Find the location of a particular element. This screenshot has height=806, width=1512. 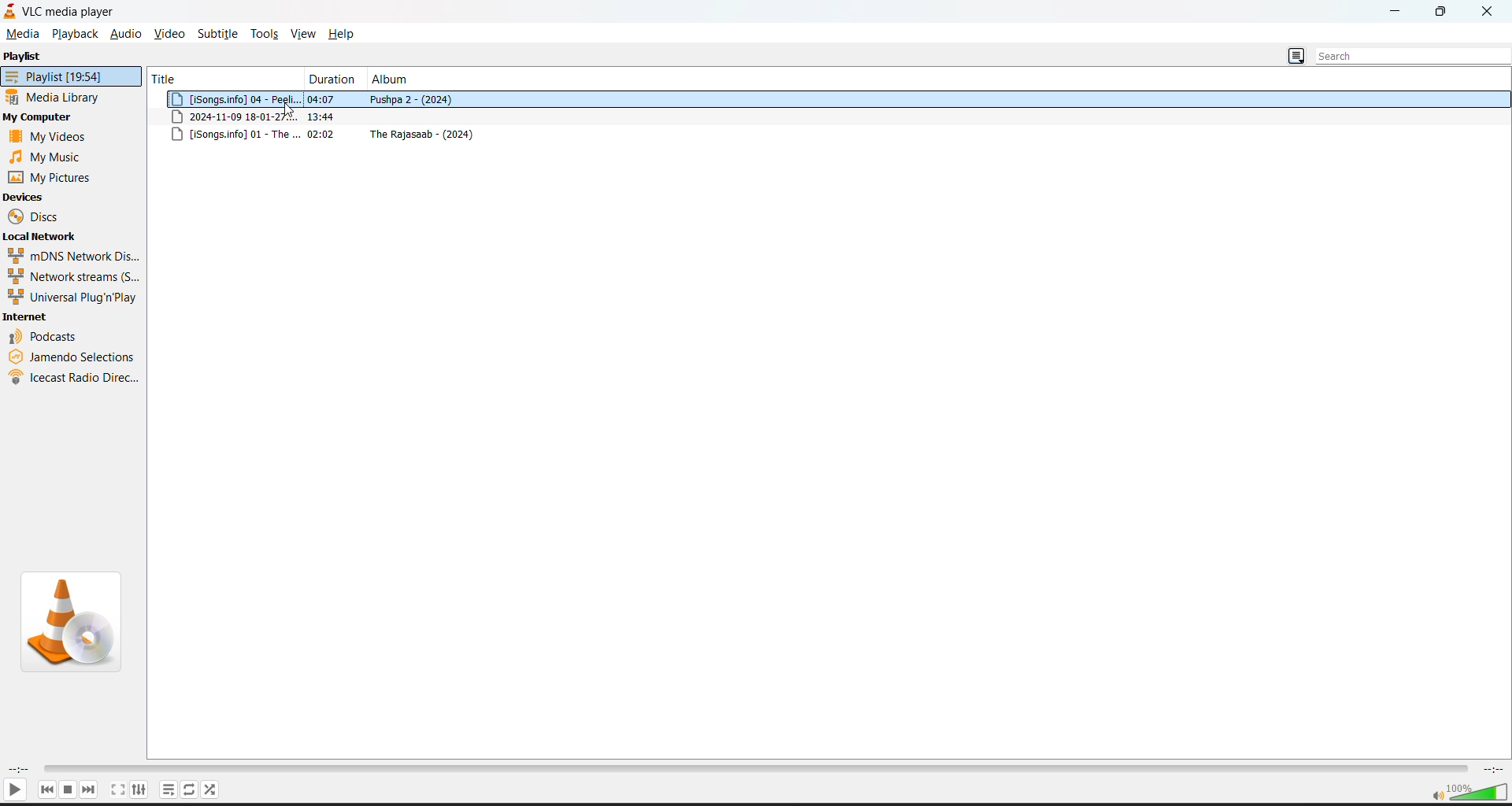

toggle playlist is located at coordinates (169, 789).